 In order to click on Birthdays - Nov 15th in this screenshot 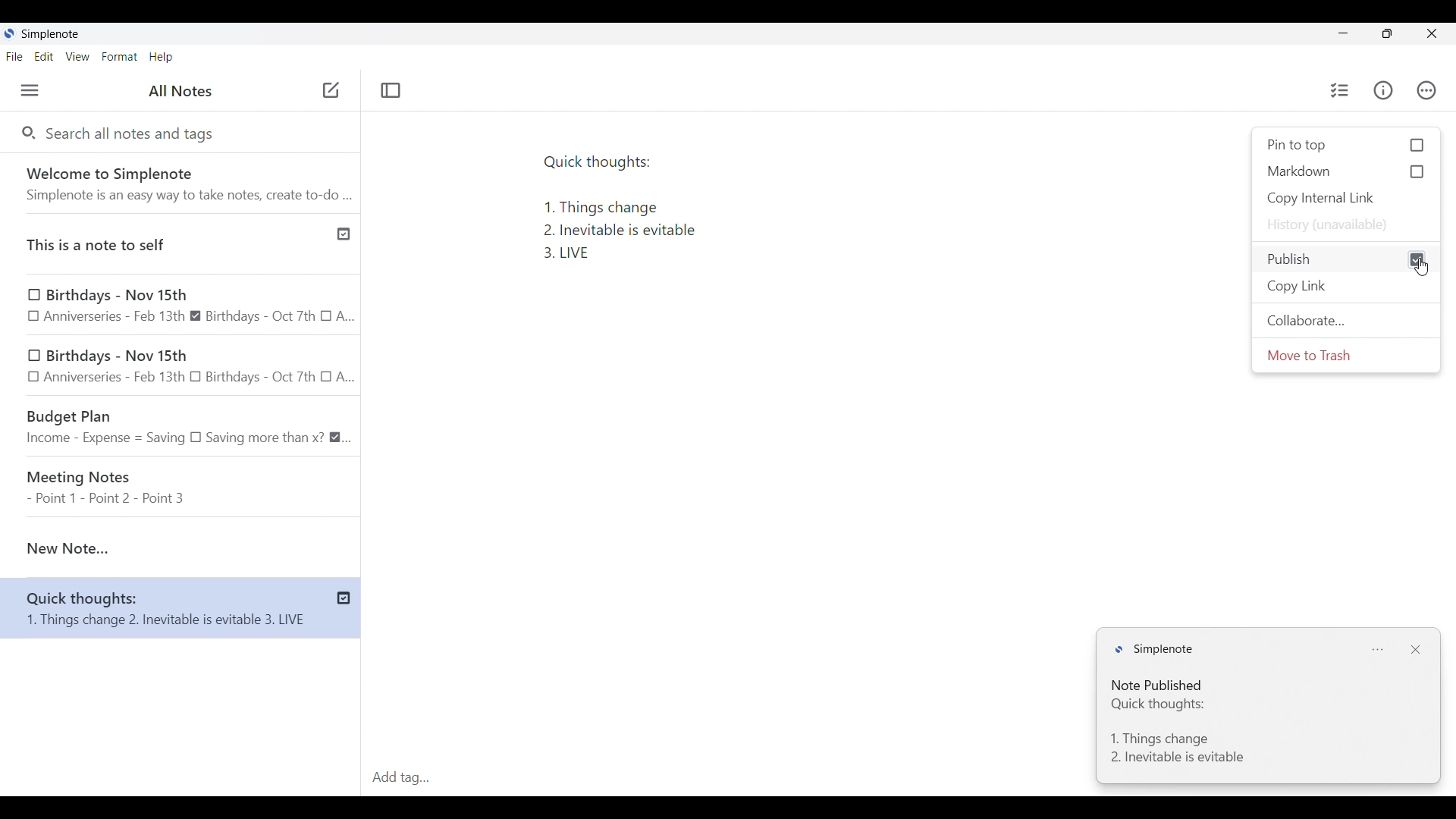, I will do `click(179, 308)`.